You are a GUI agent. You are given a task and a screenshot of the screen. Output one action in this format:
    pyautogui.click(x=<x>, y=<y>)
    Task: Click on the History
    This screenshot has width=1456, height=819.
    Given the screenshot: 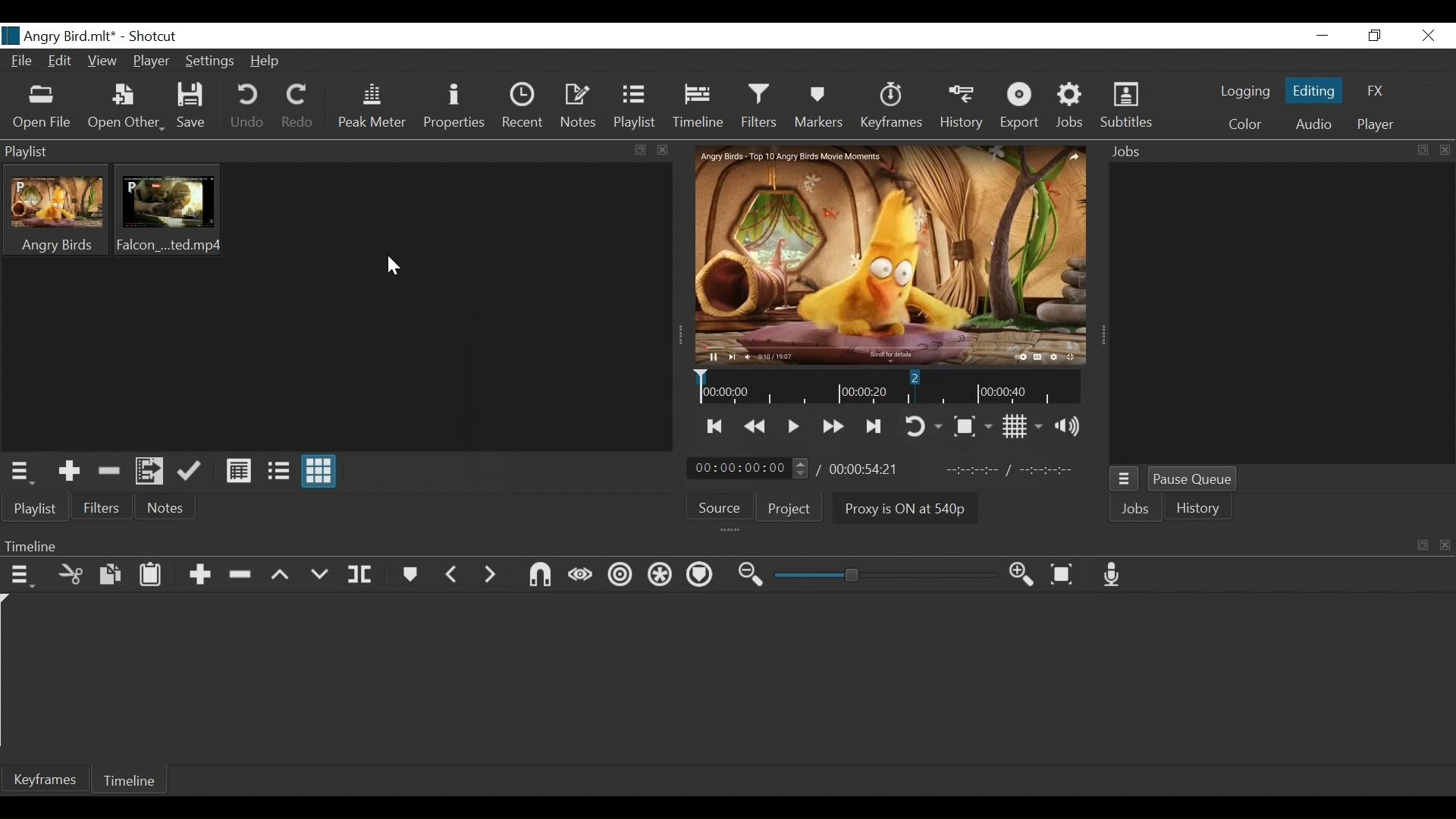 What is the action you would take?
    pyautogui.click(x=1199, y=509)
    